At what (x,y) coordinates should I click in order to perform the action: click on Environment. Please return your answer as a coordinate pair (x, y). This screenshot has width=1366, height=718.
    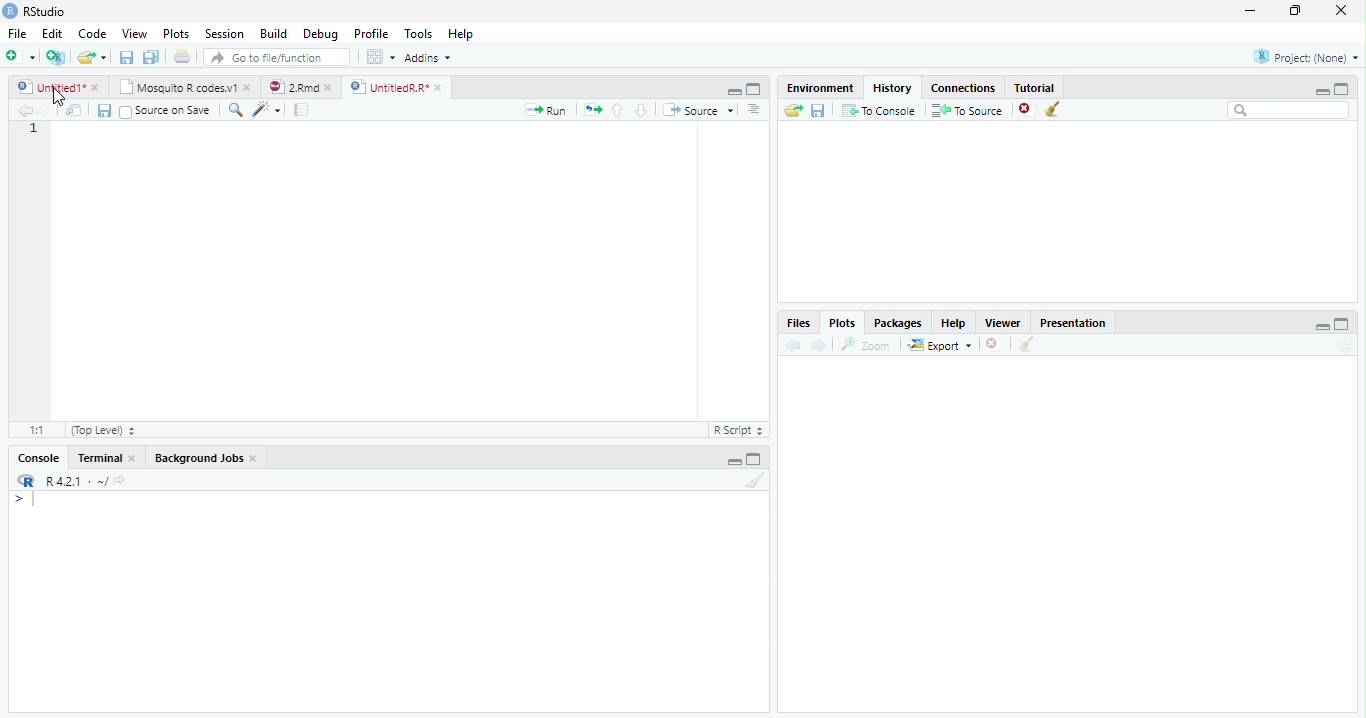
    Looking at the image, I should click on (820, 88).